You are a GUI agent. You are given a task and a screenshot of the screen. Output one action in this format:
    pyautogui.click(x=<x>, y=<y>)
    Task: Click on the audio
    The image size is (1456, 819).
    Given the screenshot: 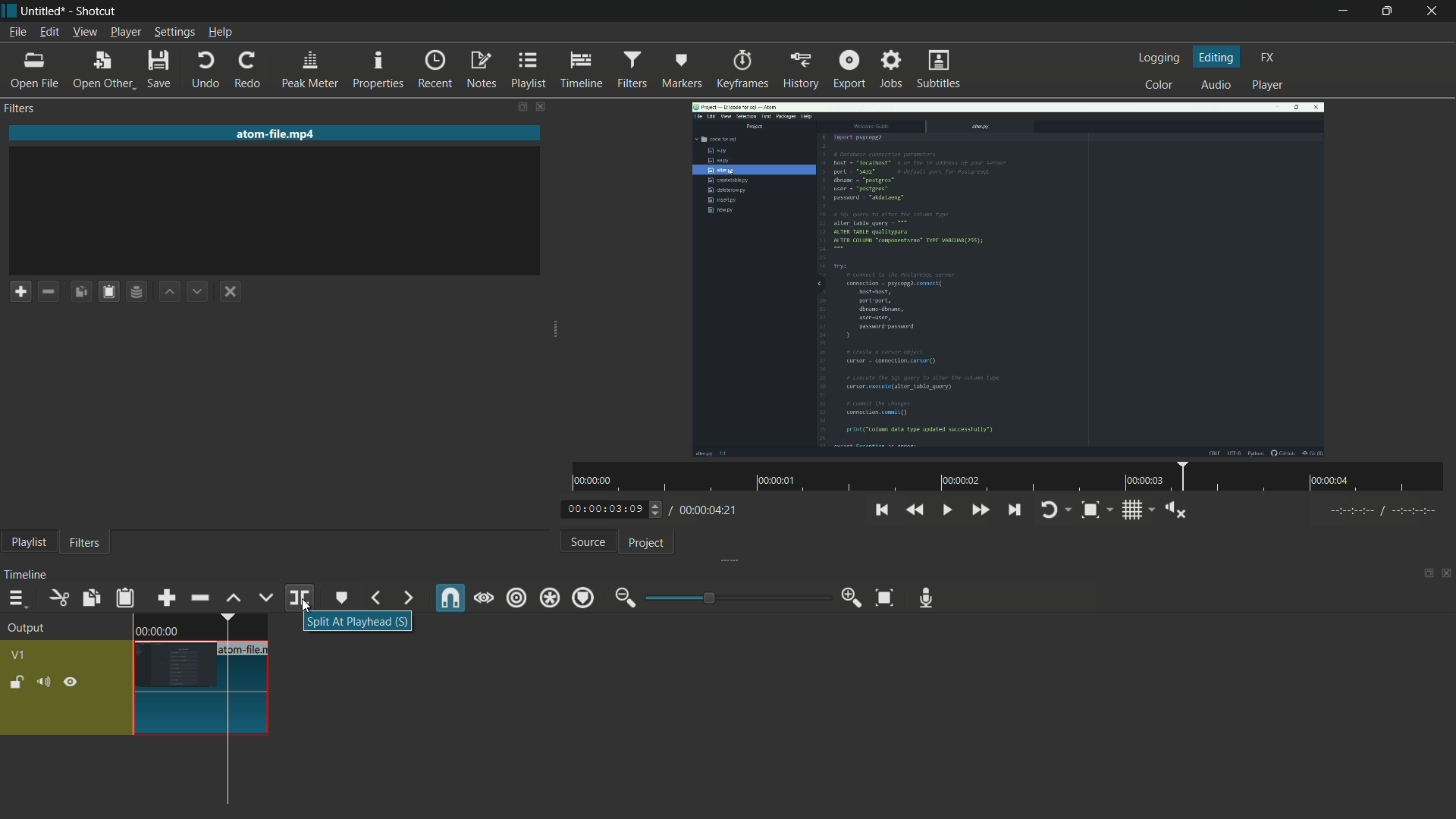 What is the action you would take?
    pyautogui.click(x=1217, y=84)
    